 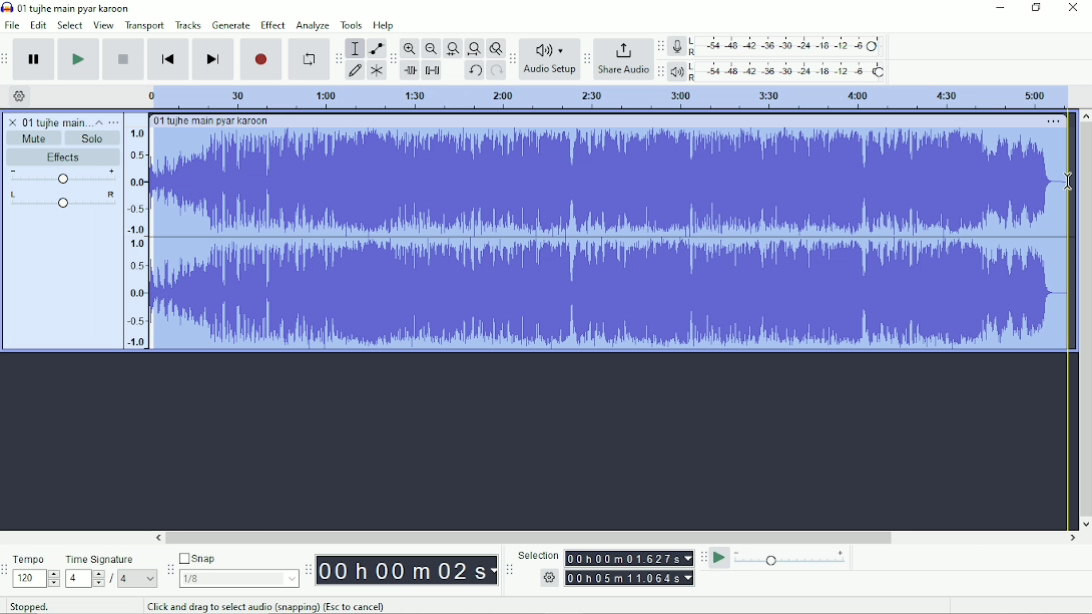 I want to click on 01 tujhe main, so click(x=55, y=121).